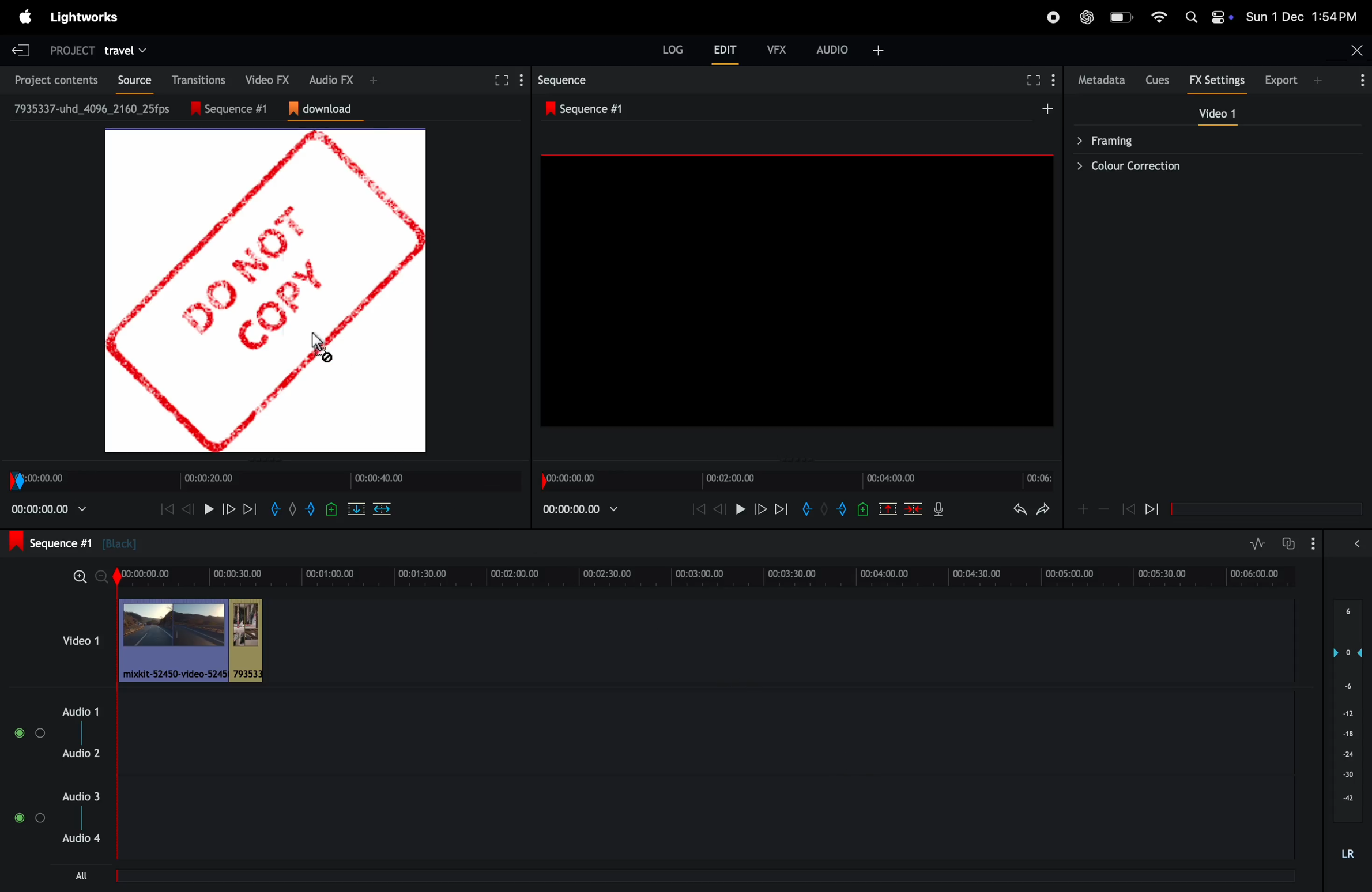 This screenshot has width=1372, height=892. I want to click on video details, so click(93, 108).